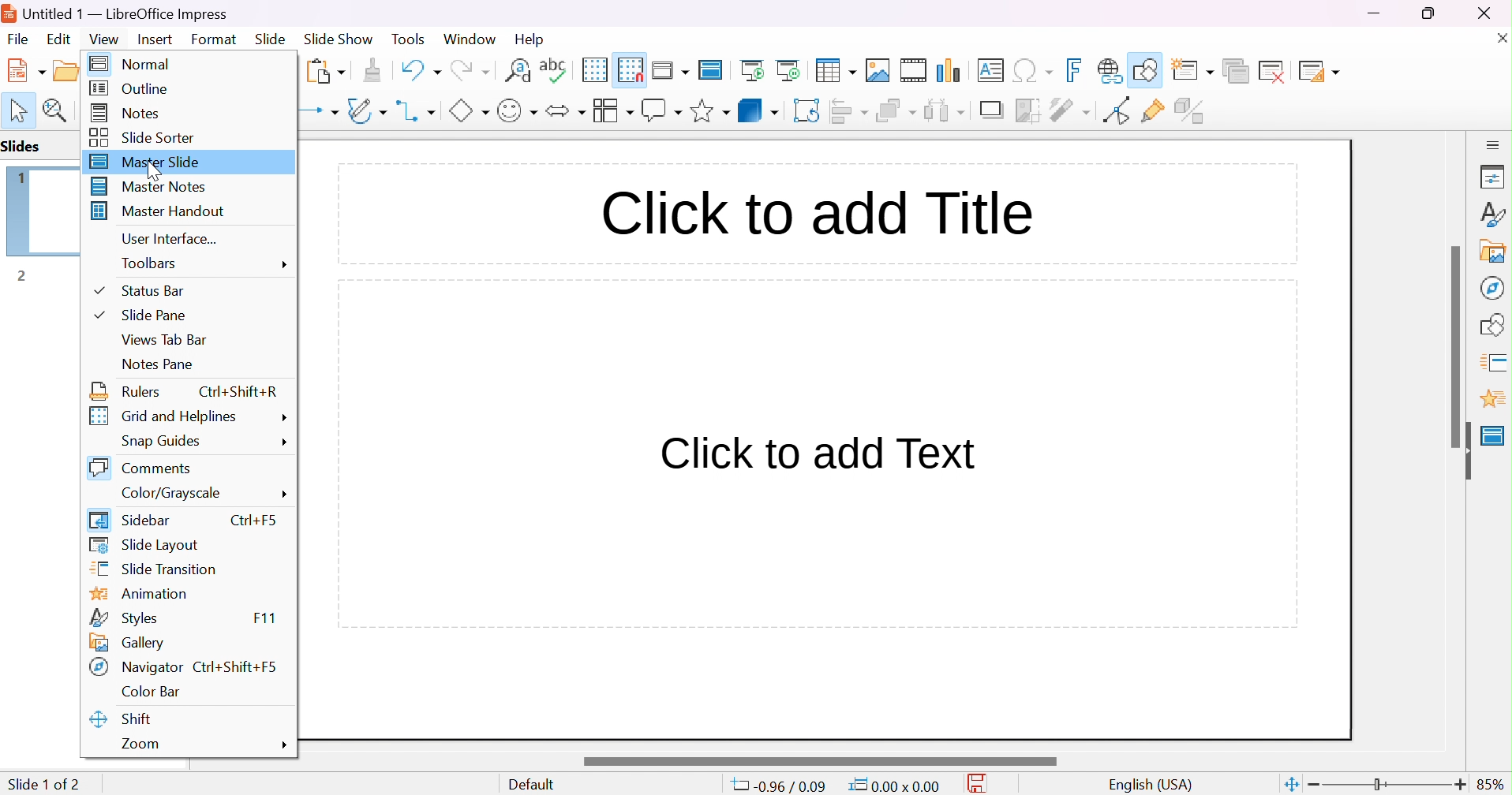  Describe the element at coordinates (18, 39) in the screenshot. I see `file` at that location.